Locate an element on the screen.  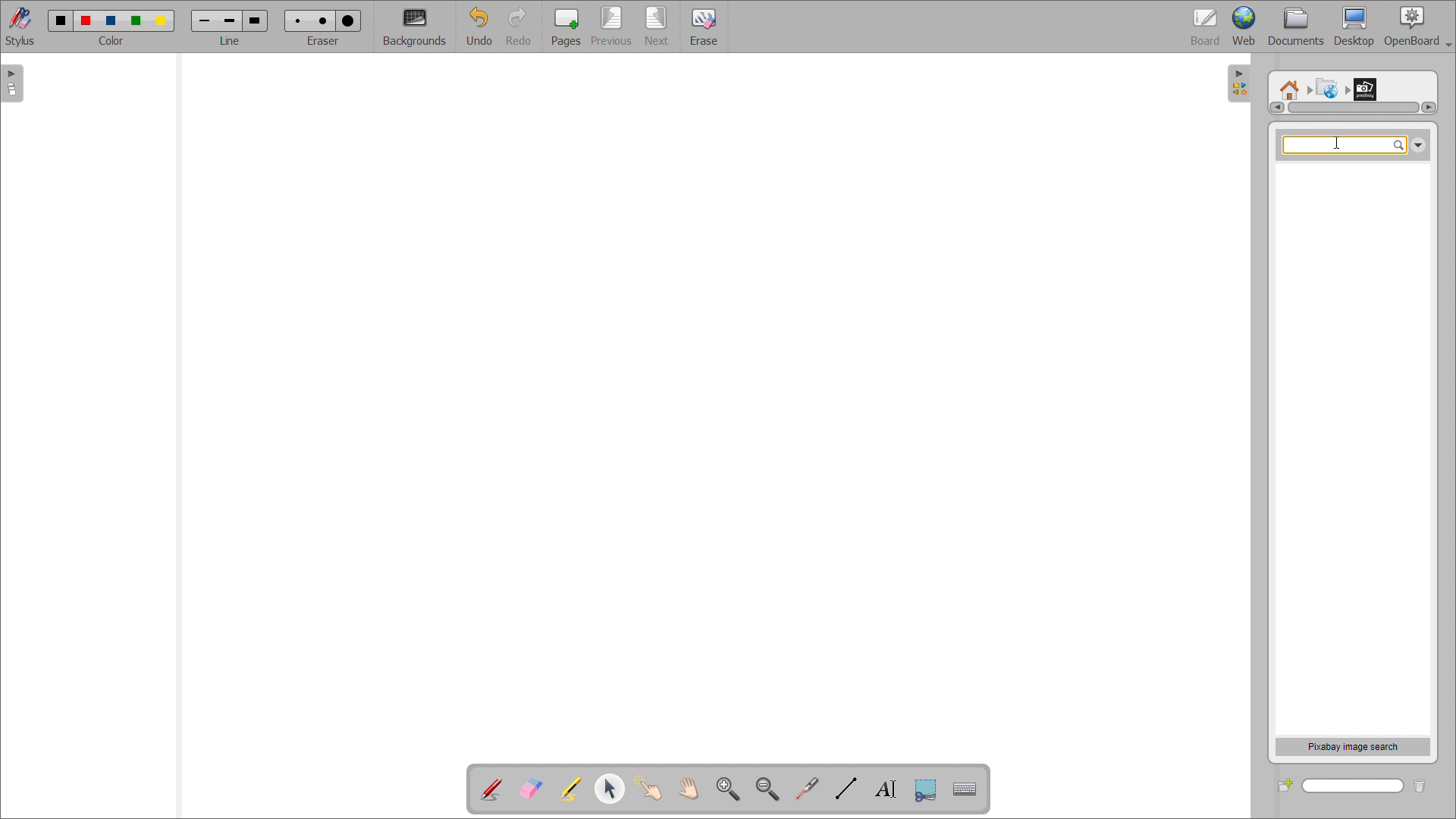
Large eraser is located at coordinates (351, 18).